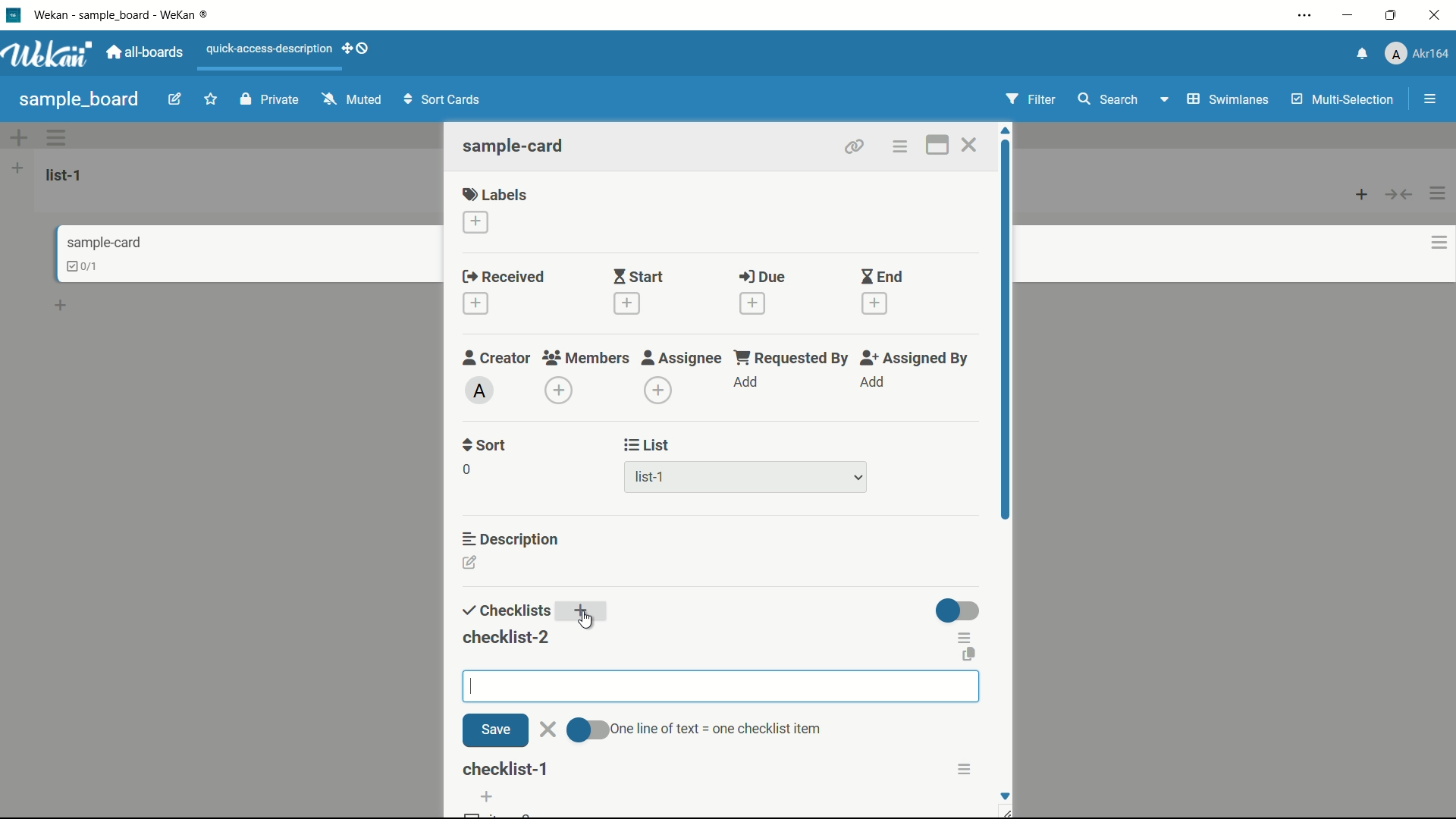 This screenshot has height=819, width=1456. I want to click on requested by, so click(792, 357).